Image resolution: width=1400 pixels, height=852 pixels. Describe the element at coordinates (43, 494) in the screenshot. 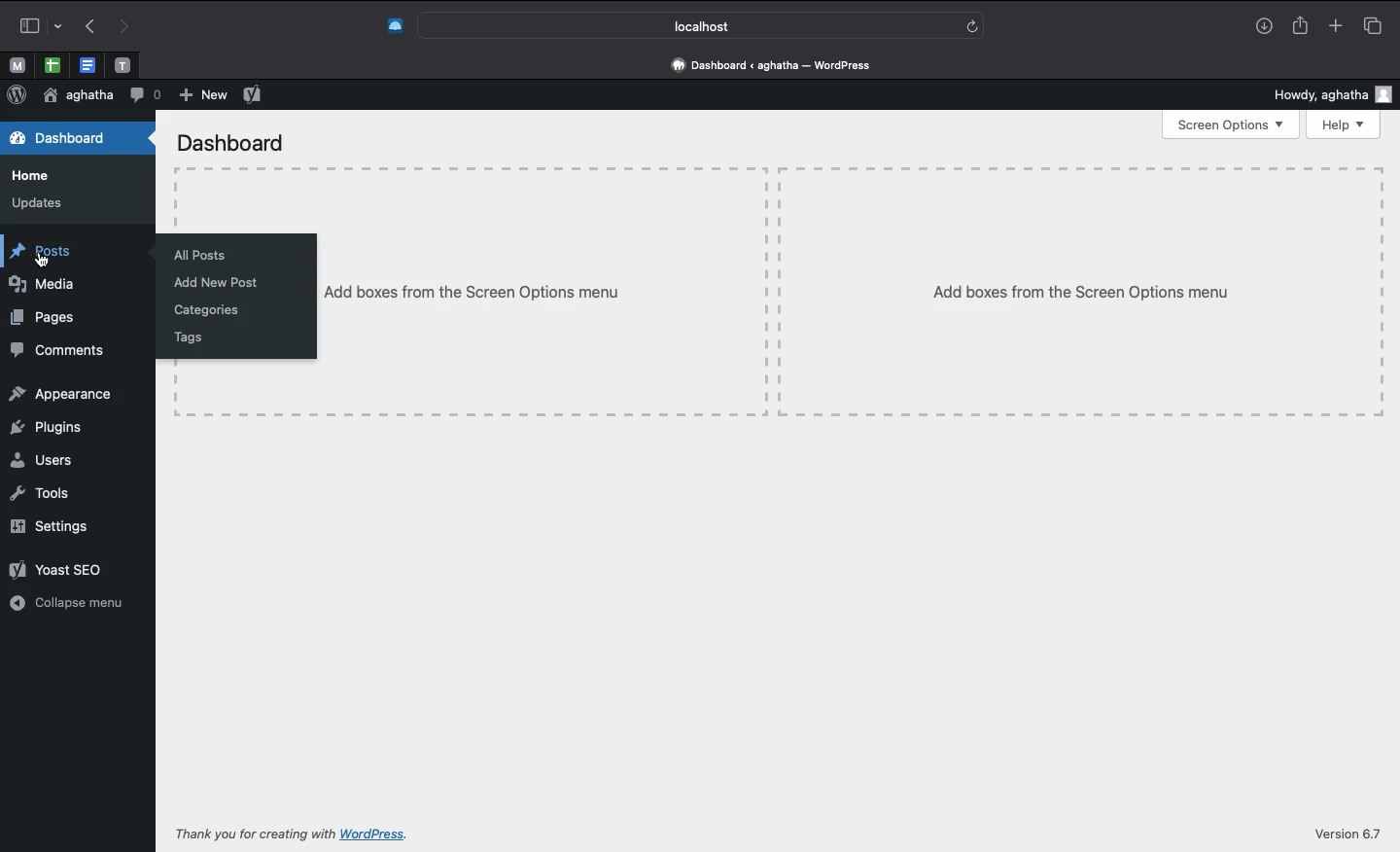

I see `Tools` at that location.